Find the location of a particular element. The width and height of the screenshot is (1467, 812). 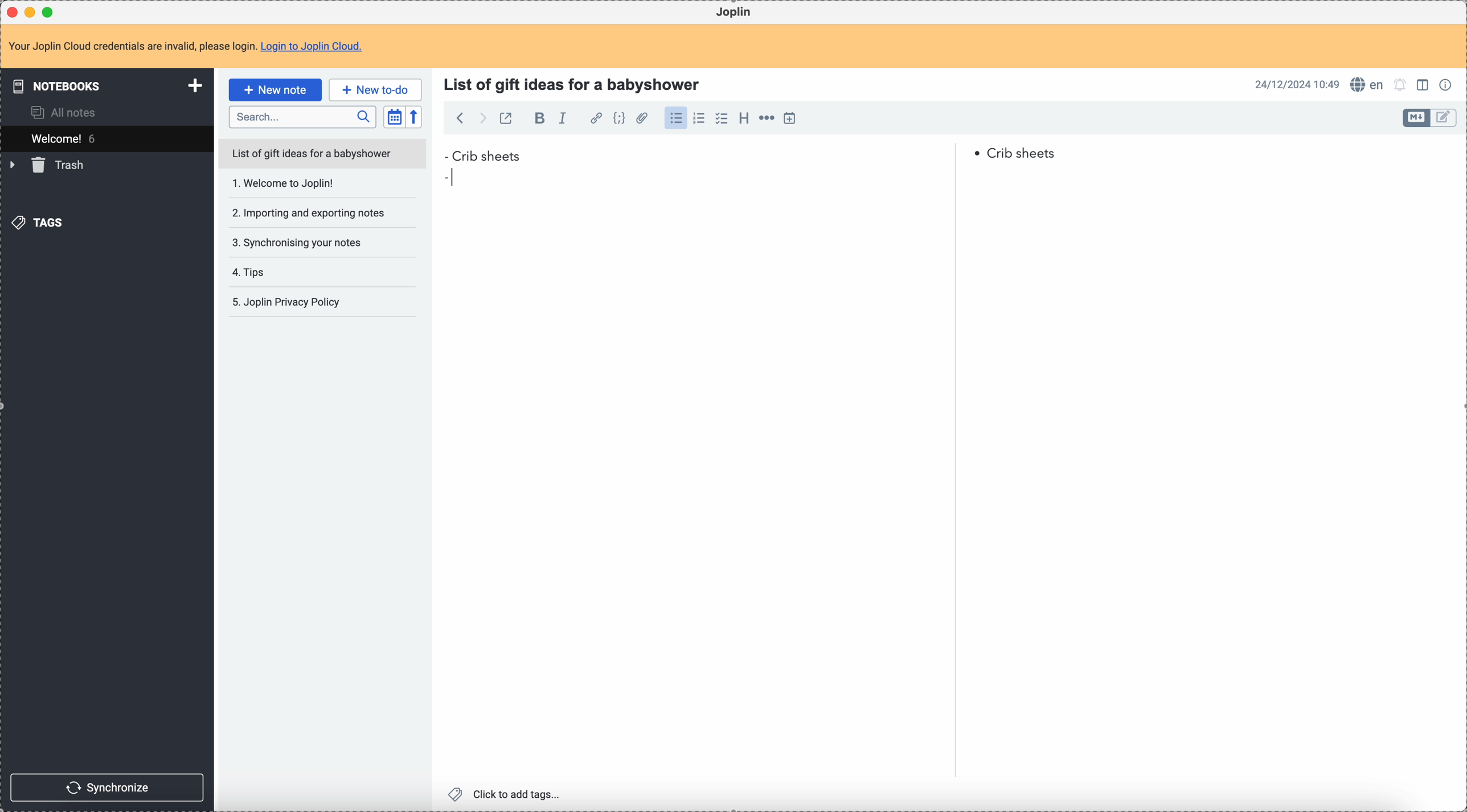

synchronize is located at coordinates (109, 786).